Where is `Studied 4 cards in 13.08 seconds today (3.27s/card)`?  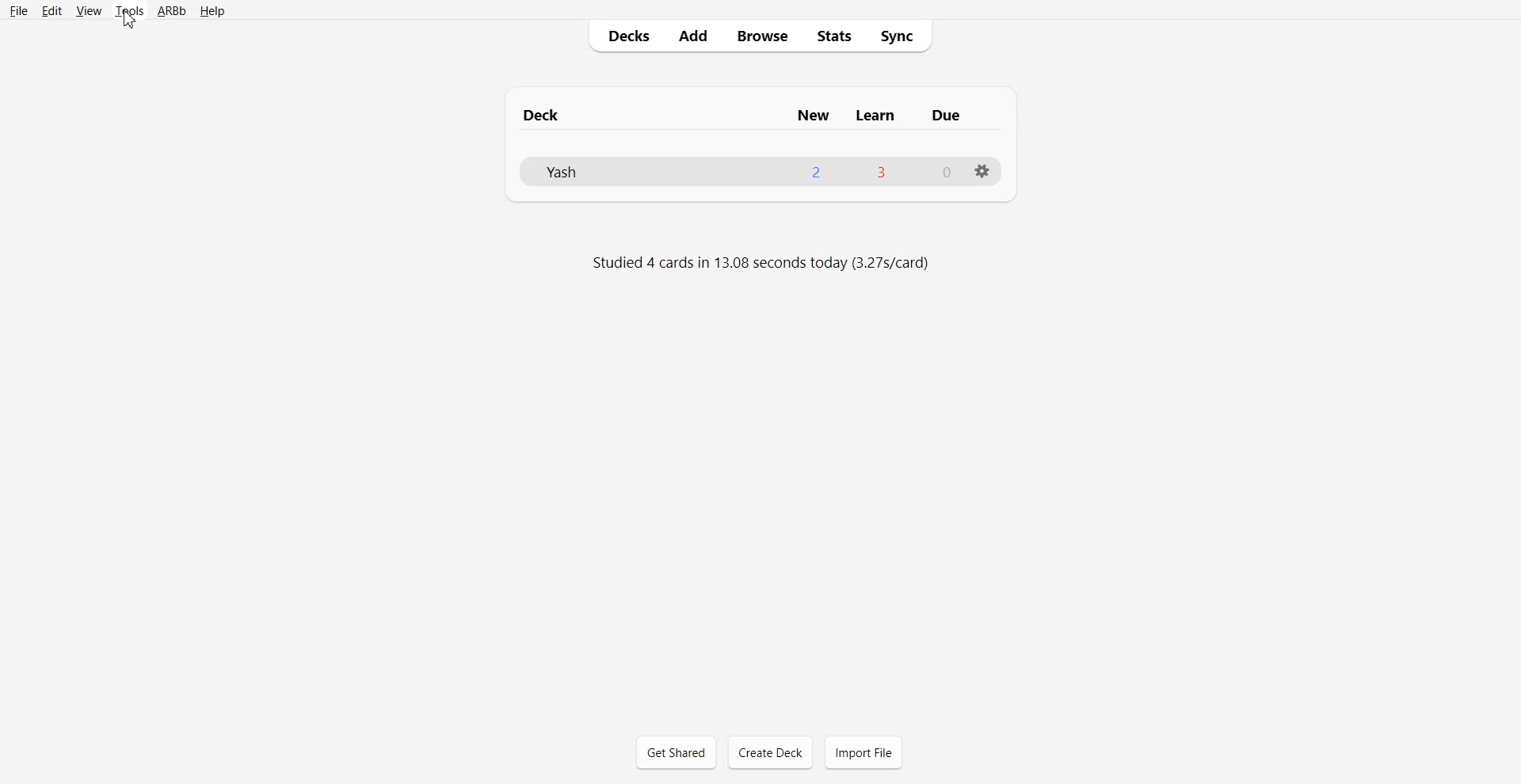 Studied 4 cards in 13.08 seconds today (3.27s/card) is located at coordinates (755, 261).